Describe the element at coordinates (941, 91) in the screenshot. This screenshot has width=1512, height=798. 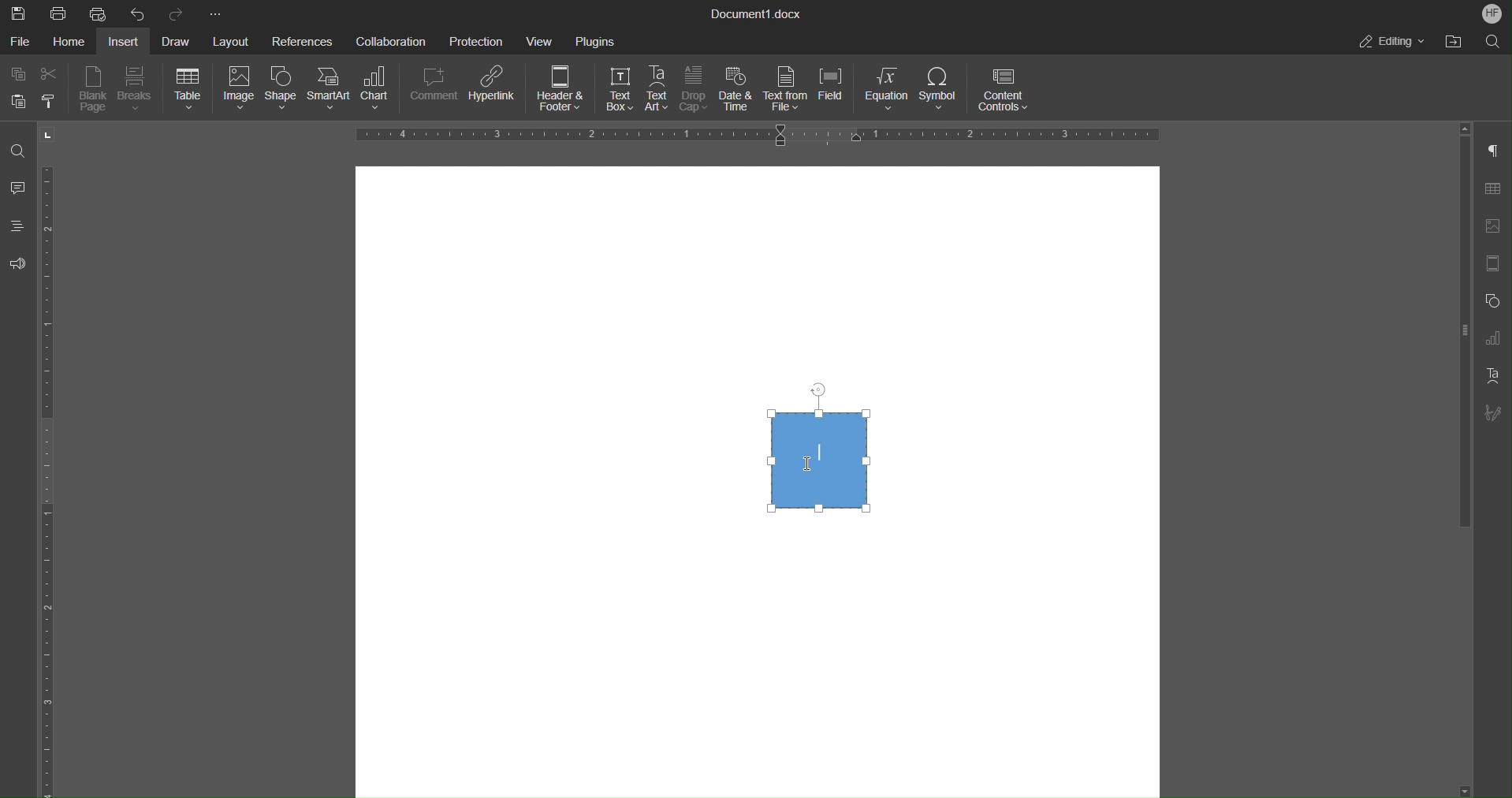
I see `Symbol` at that location.